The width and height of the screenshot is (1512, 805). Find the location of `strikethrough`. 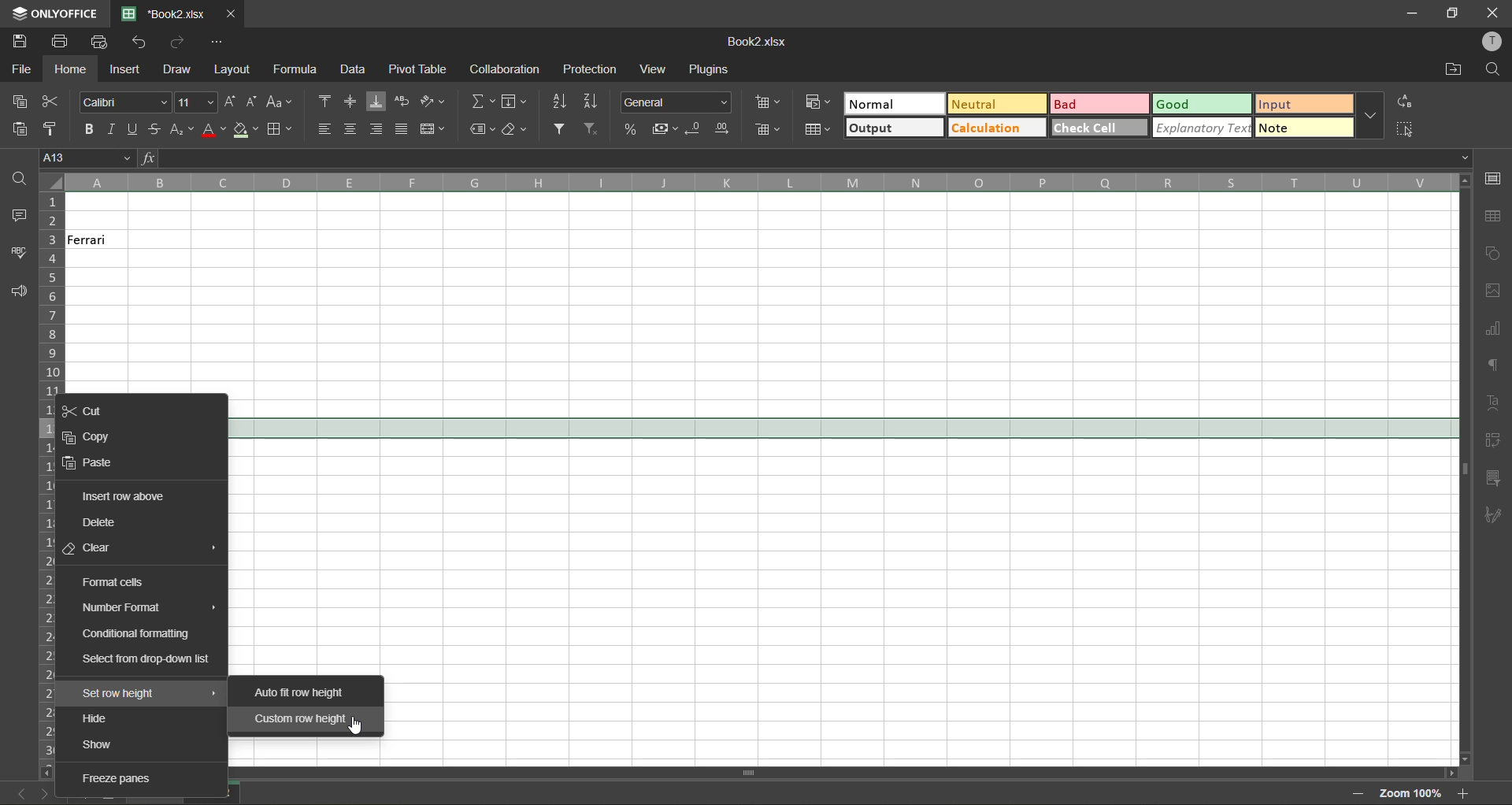

strikethrough is located at coordinates (152, 128).